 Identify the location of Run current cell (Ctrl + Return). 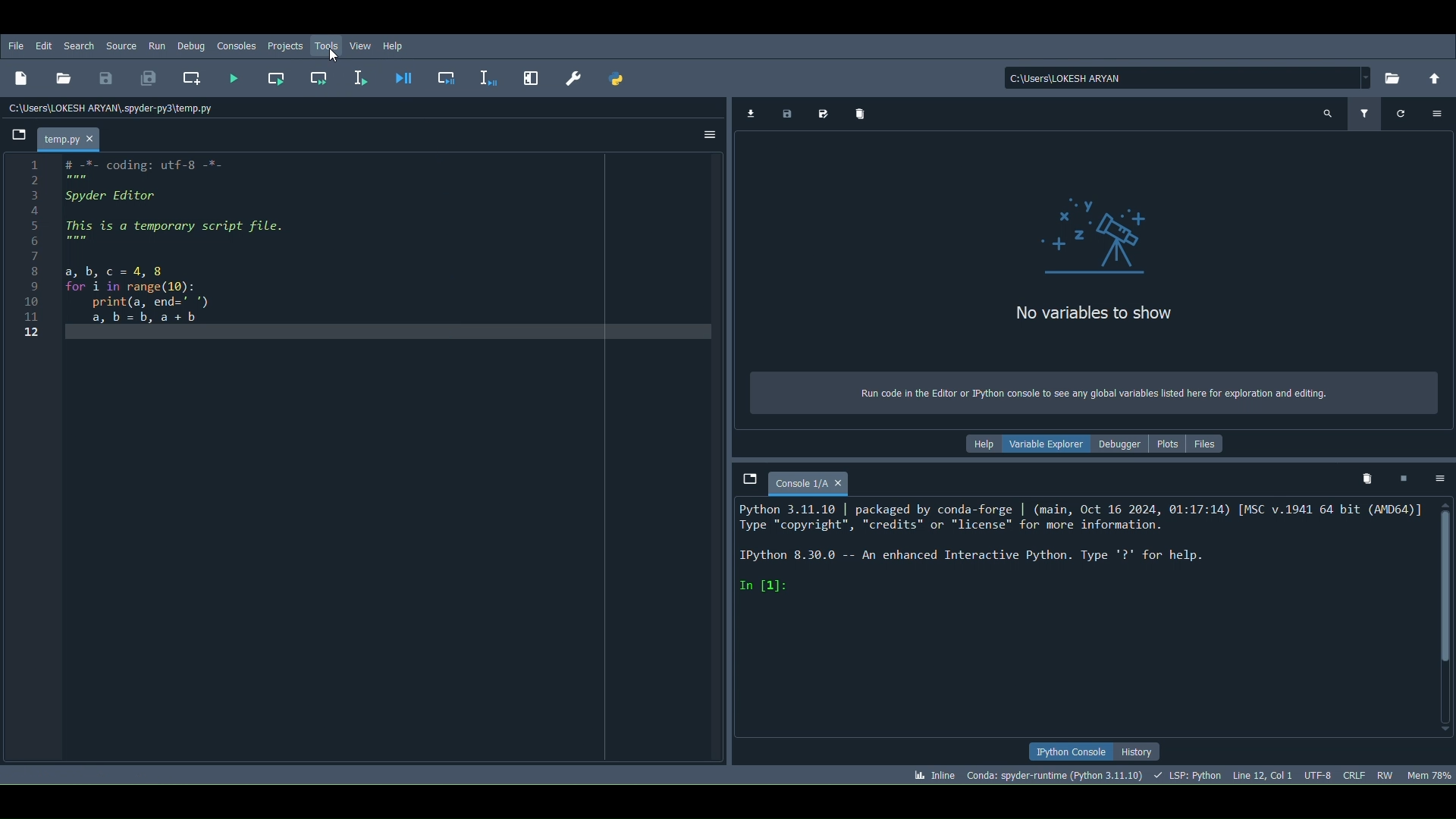
(276, 76).